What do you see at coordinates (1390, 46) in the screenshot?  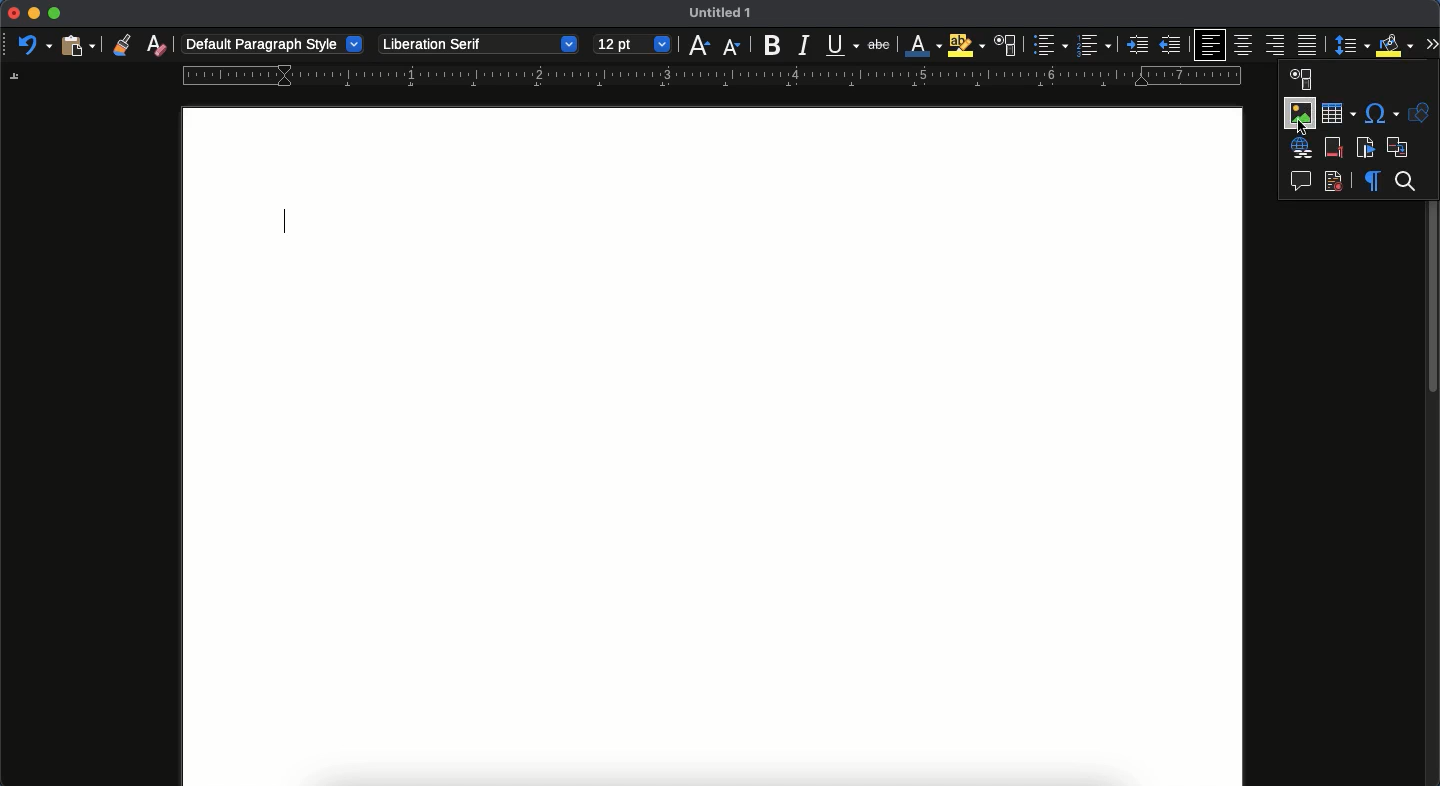 I see `fill color` at bounding box center [1390, 46].